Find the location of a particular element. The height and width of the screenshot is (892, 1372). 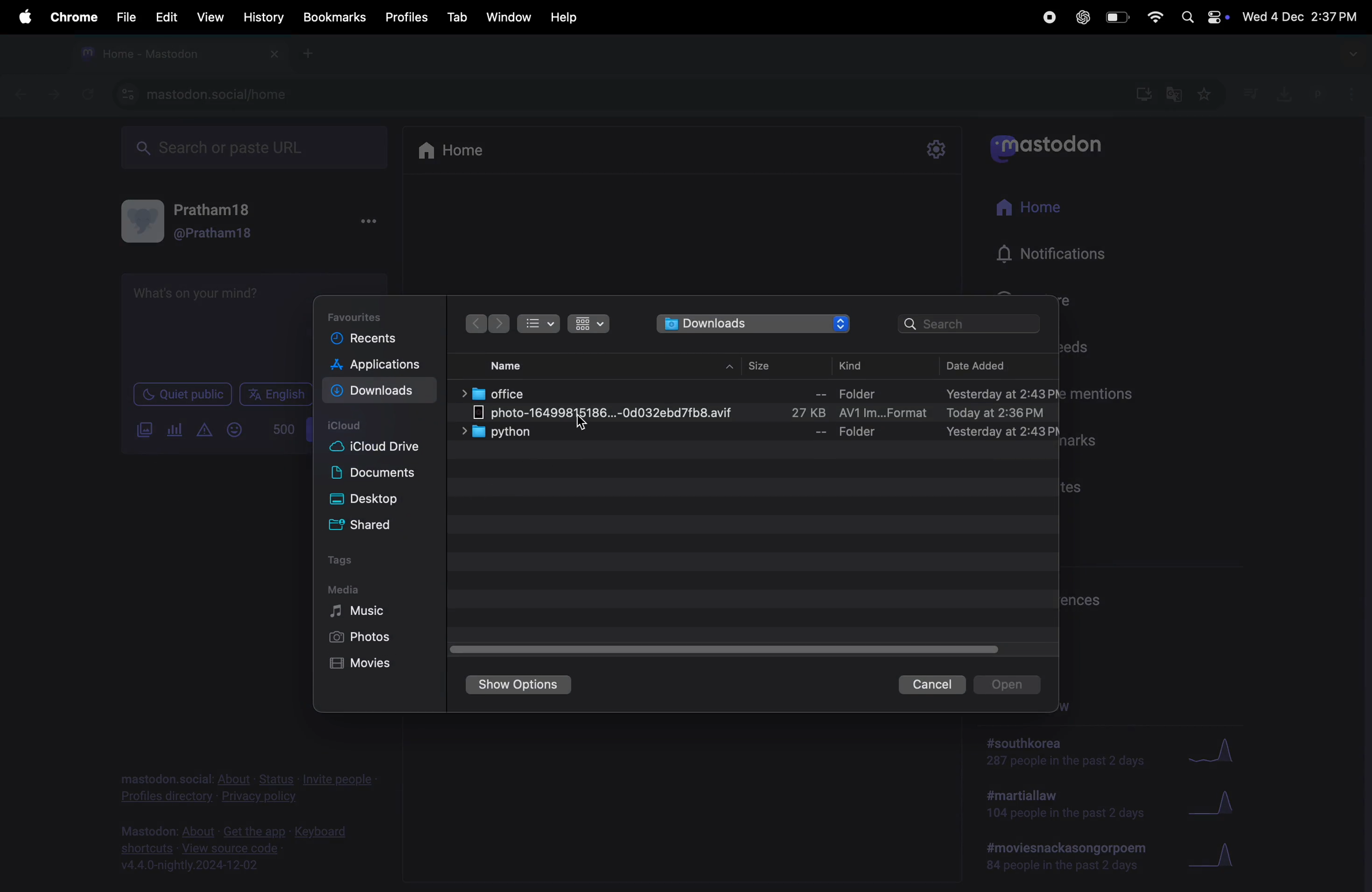

image is located at coordinates (145, 430).